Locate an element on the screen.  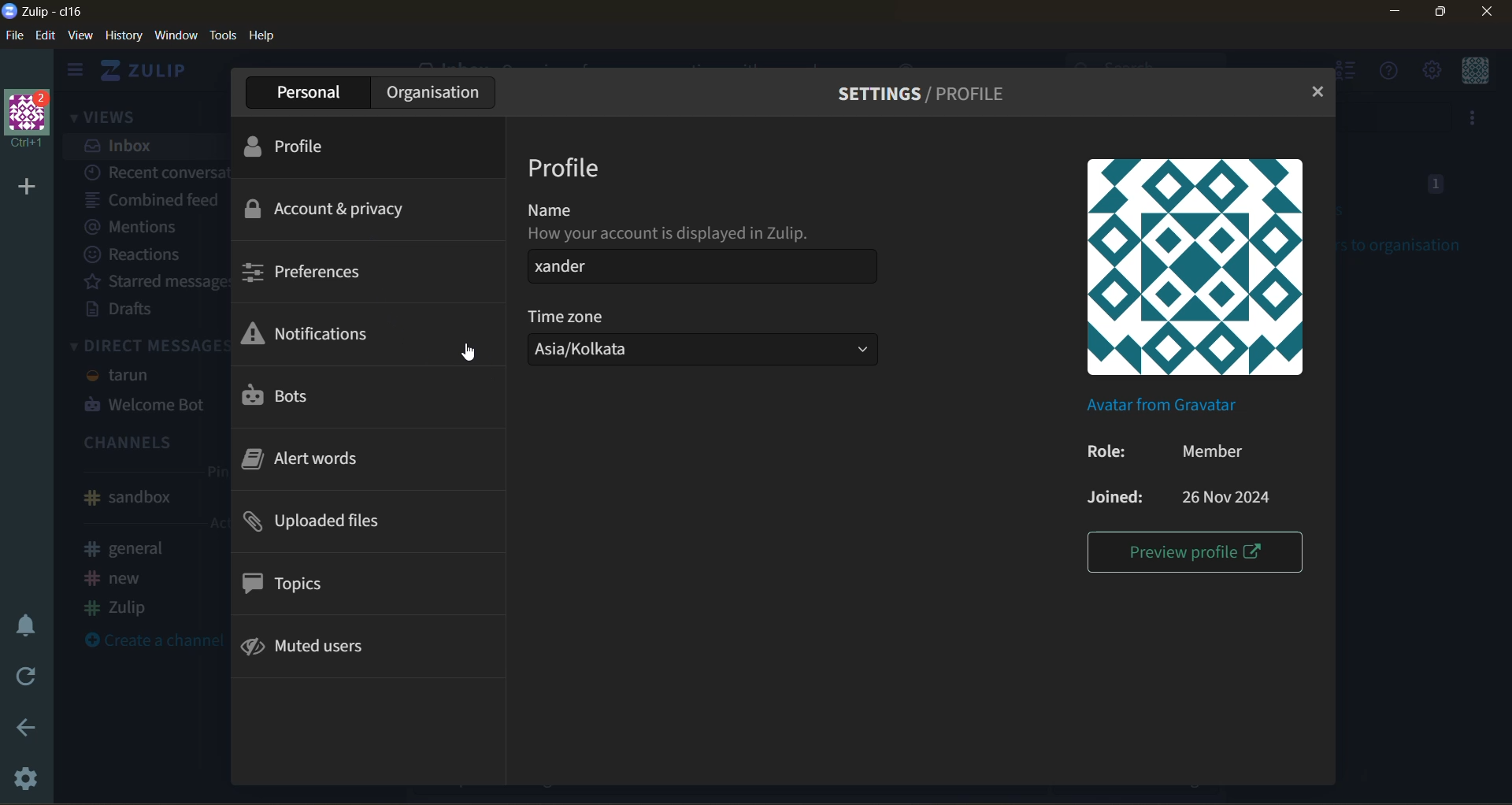
bots is located at coordinates (298, 397).